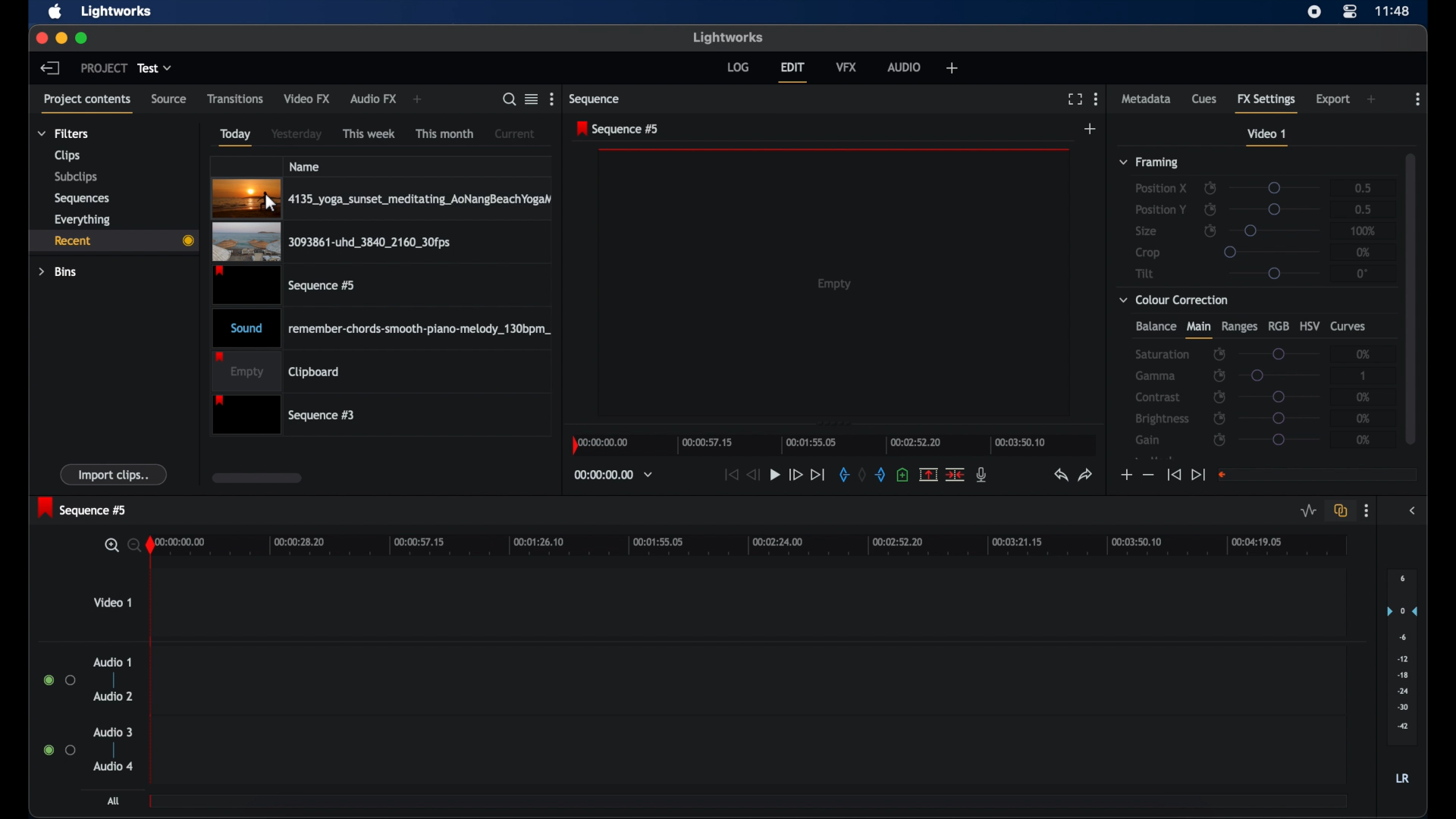  Describe the element at coordinates (1219, 440) in the screenshot. I see `enable/disable keyframes` at that location.